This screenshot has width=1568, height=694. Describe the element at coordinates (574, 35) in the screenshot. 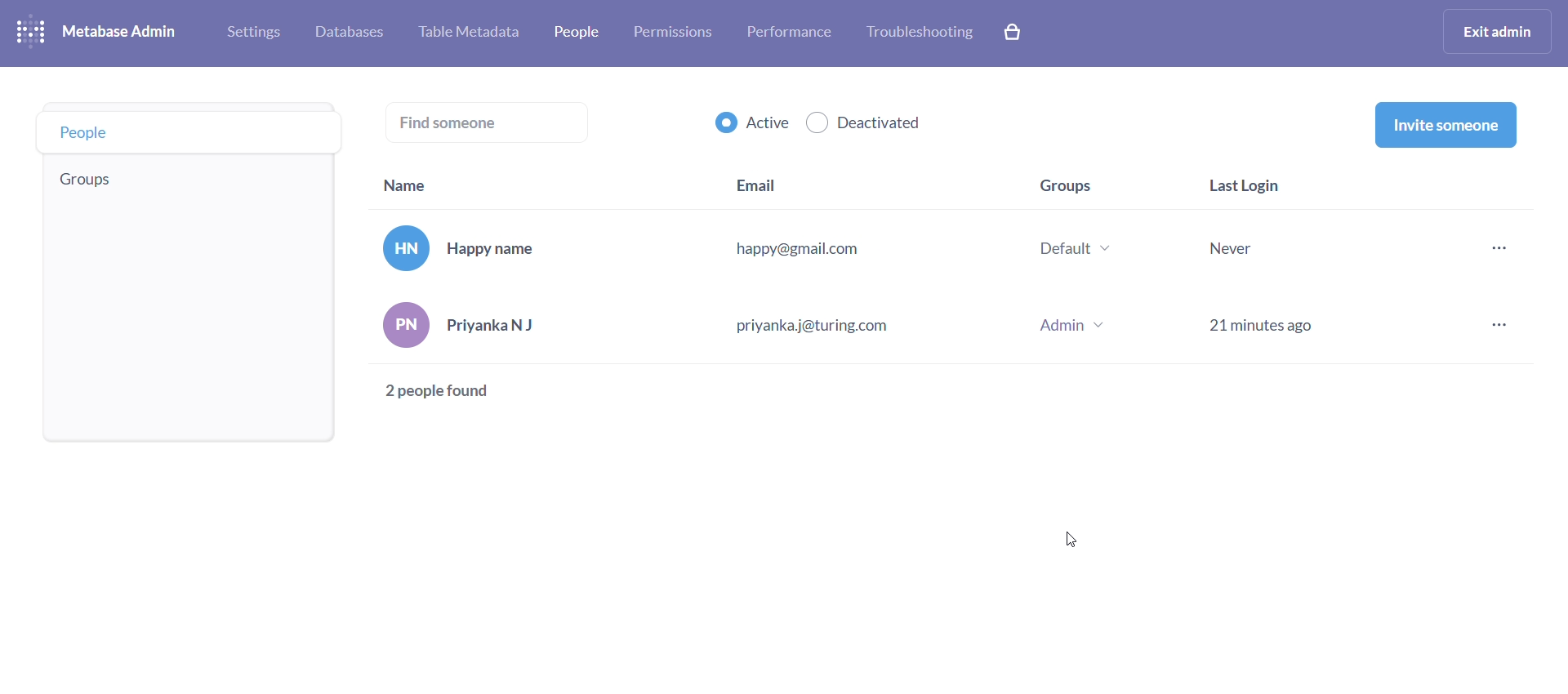

I see `people` at that location.